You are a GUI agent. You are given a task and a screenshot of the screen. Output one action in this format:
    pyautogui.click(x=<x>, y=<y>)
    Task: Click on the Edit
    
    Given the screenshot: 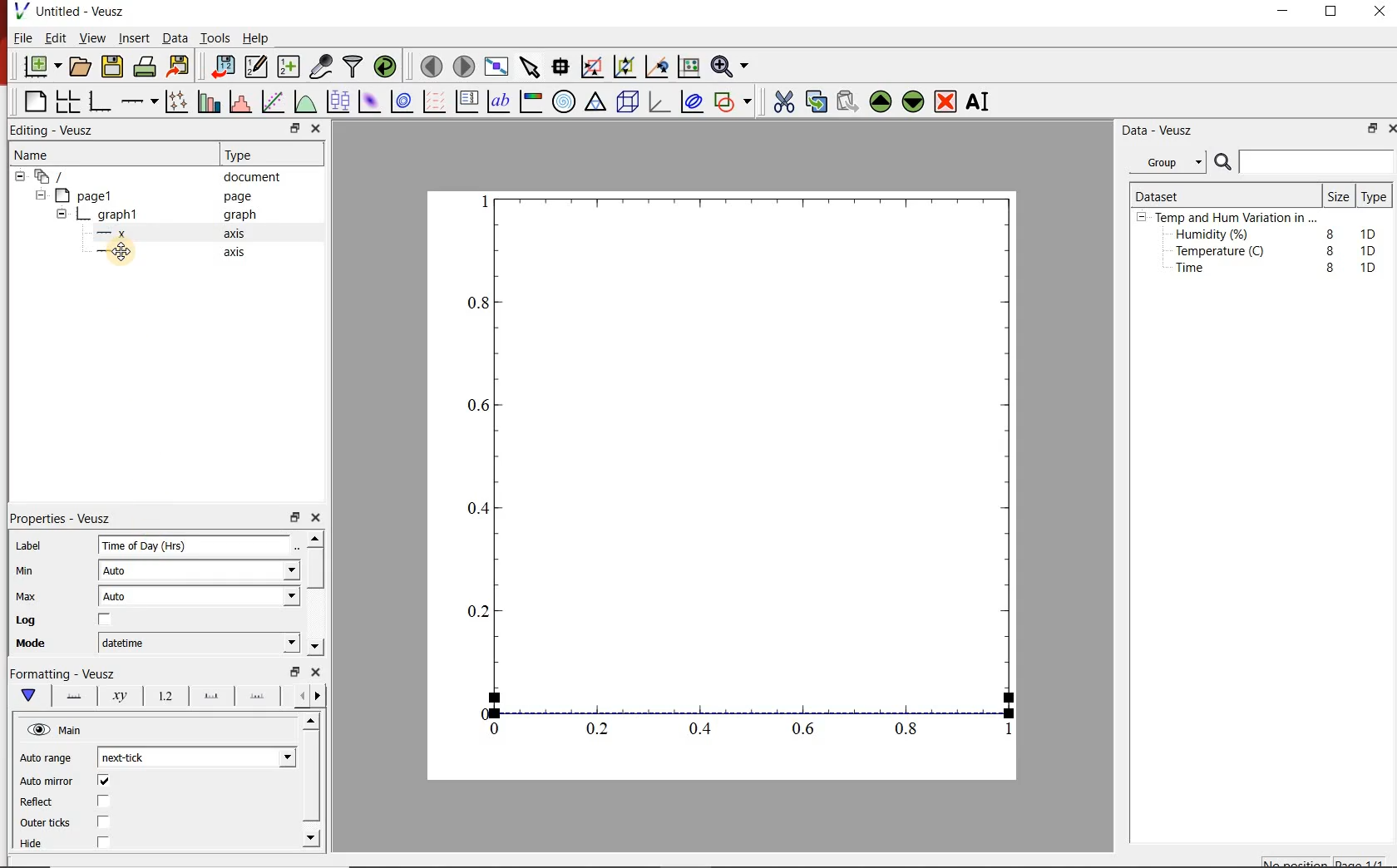 What is the action you would take?
    pyautogui.click(x=56, y=40)
    